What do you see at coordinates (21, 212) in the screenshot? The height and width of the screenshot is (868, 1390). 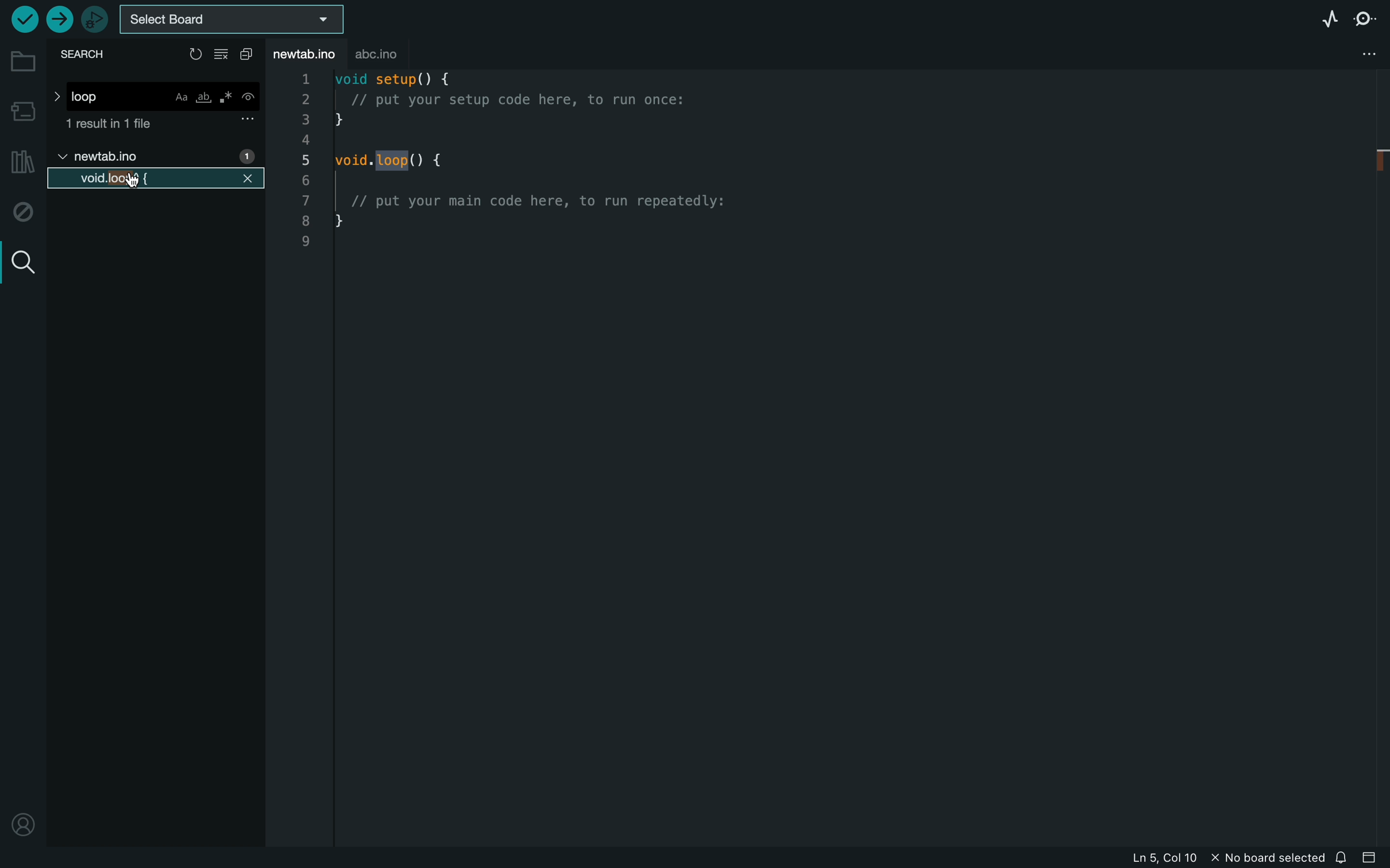 I see `debug` at bounding box center [21, 212].